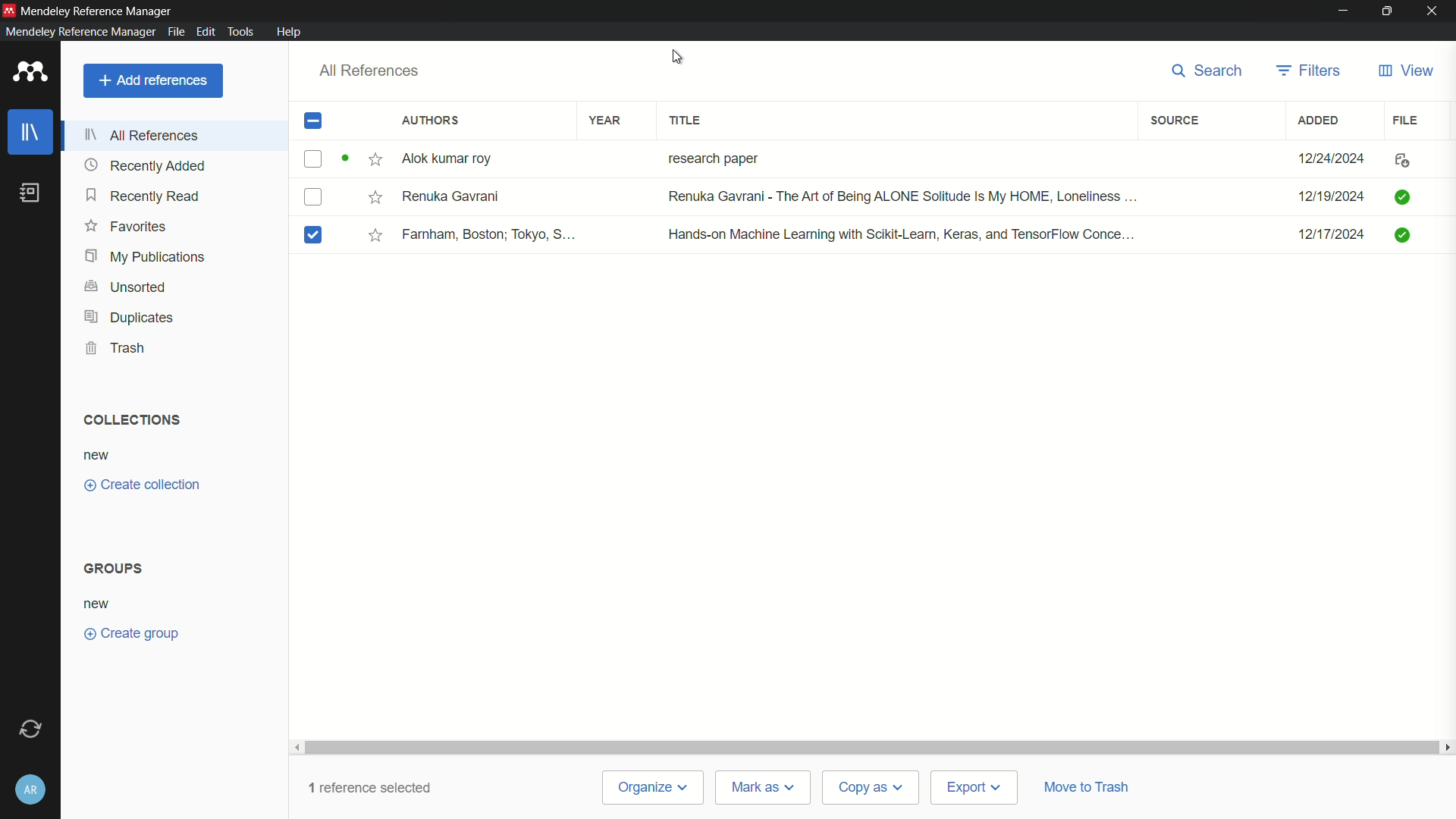  Describe the element at coordinates (9, 11) in the screenshot. I see `app icon` at that location.